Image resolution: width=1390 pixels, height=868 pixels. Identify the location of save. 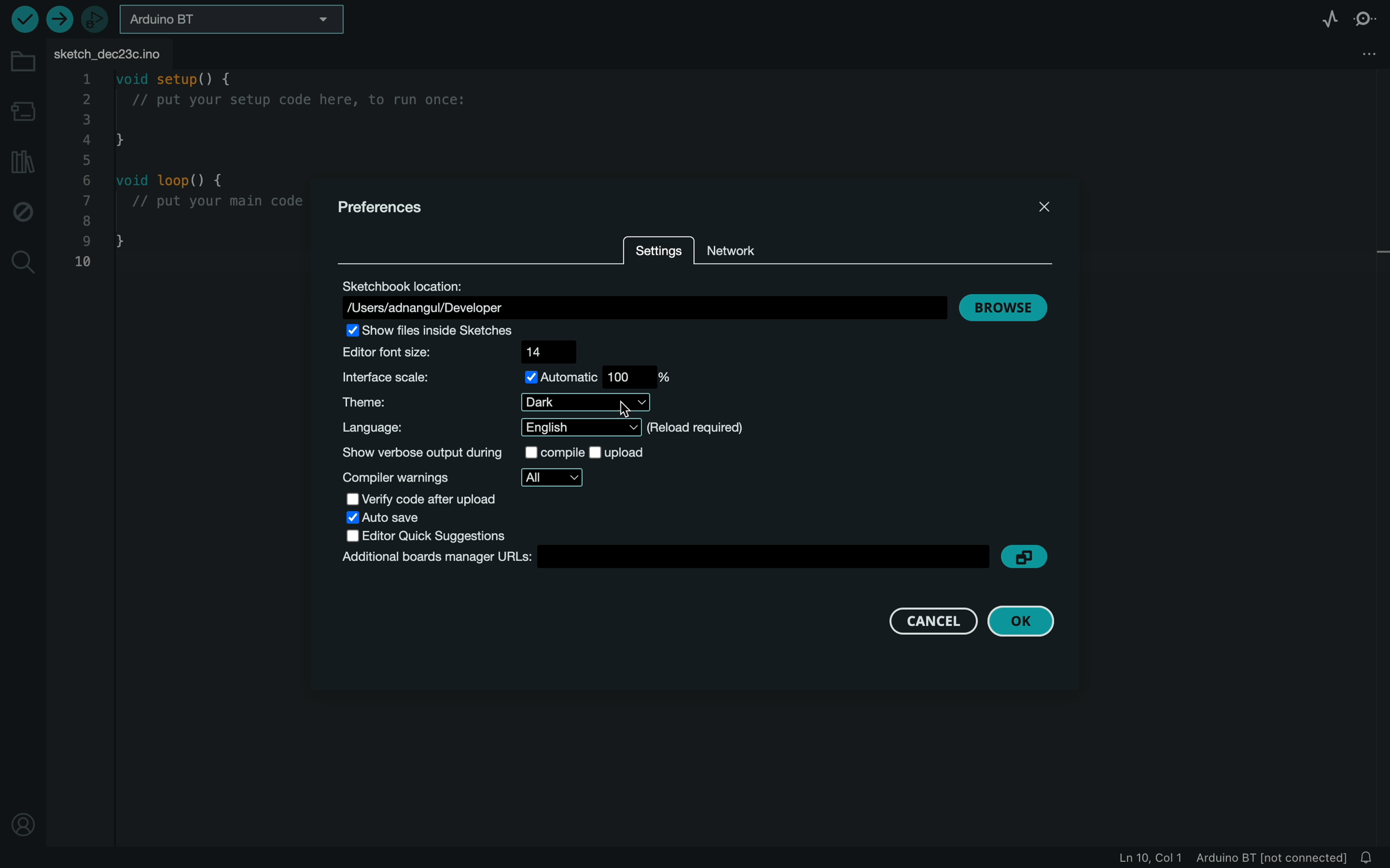
(405, 518).